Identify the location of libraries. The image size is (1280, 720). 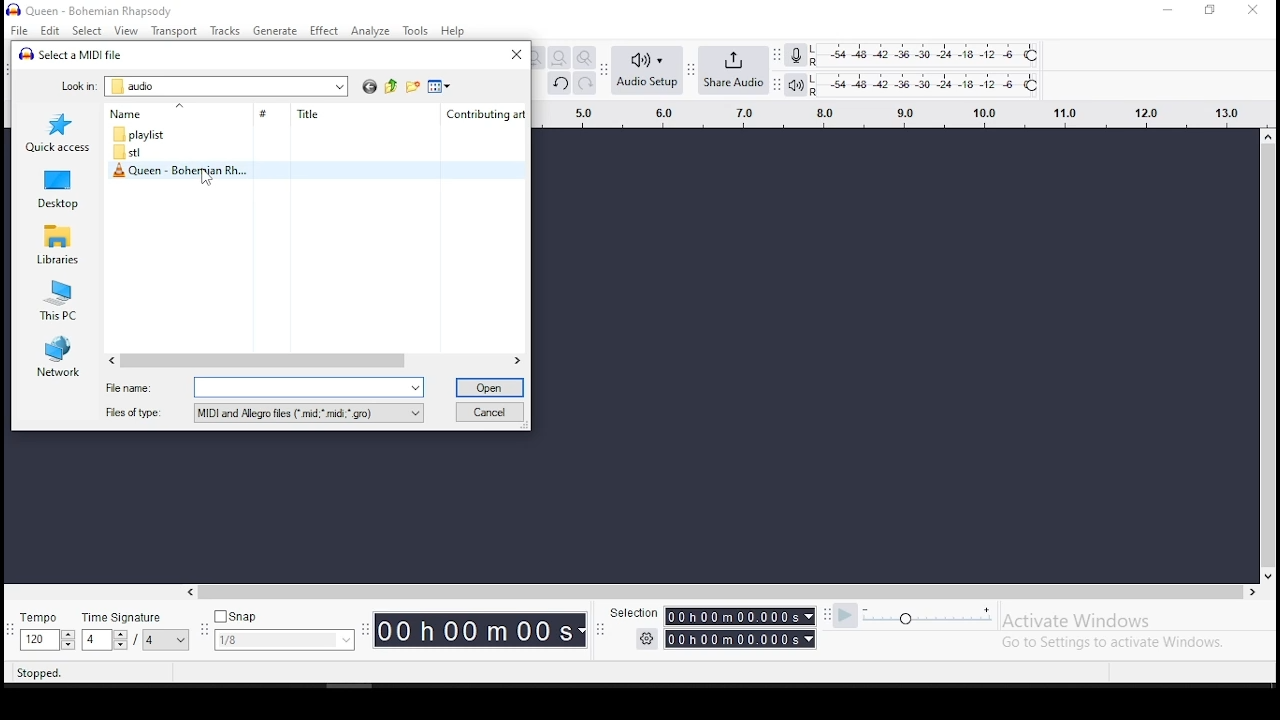
(58, 244).